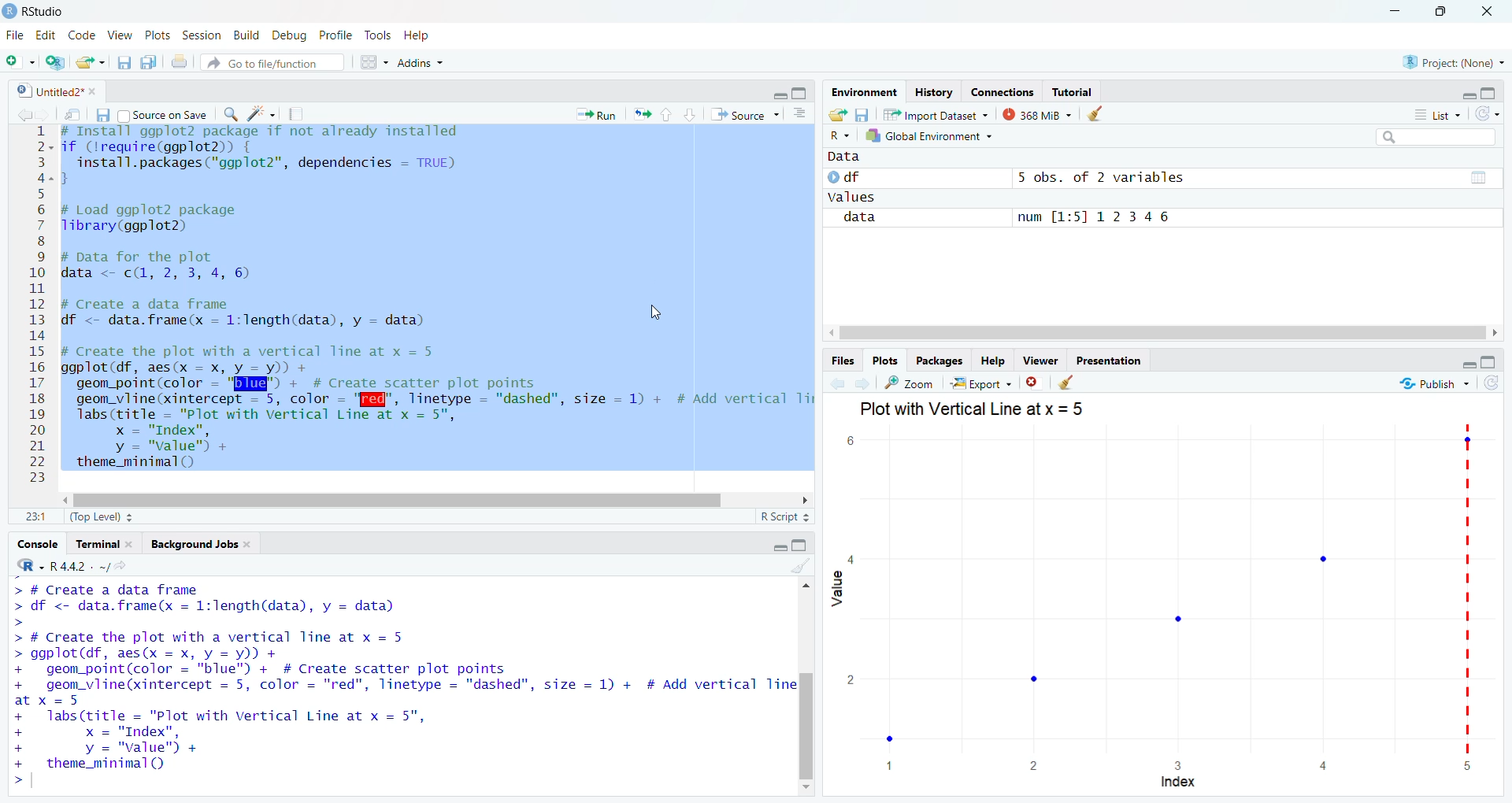  I want to click on search, so click(1437, 139).